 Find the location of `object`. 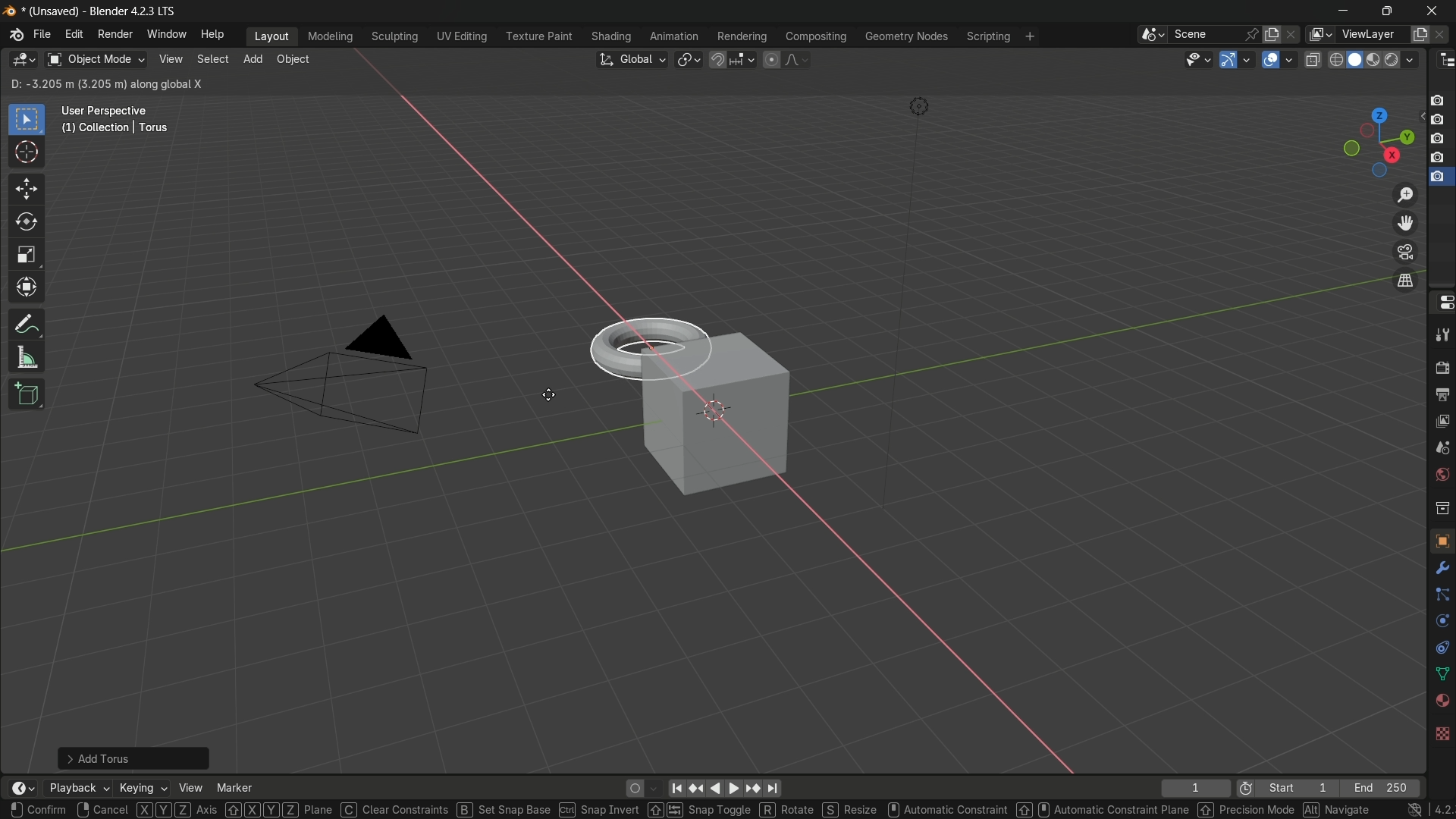

object is located at coordinates (1442, 540).